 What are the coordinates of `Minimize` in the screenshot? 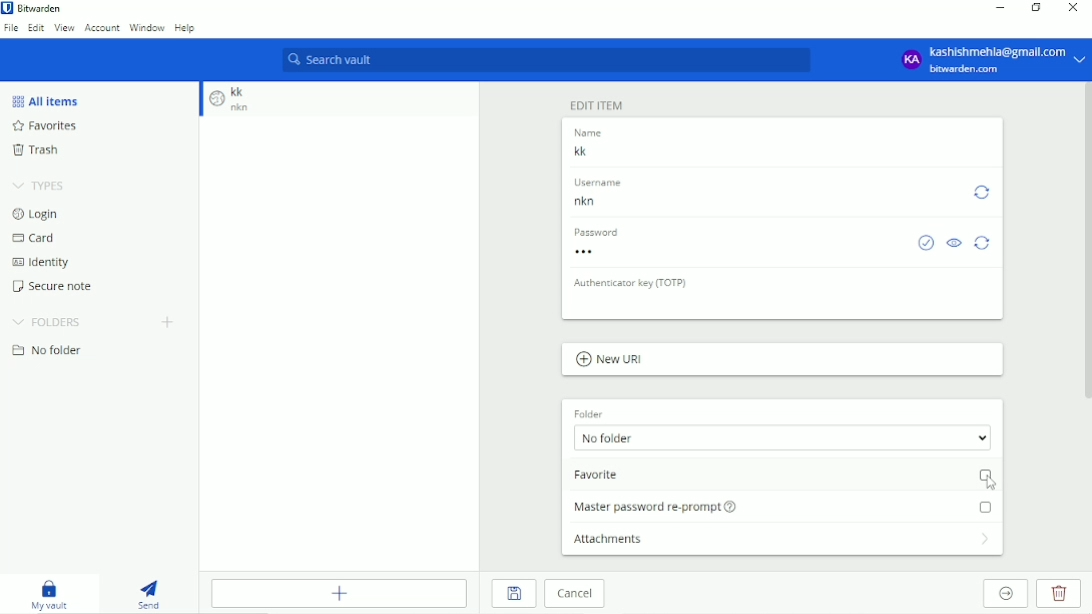 It's located at (1000, 9).